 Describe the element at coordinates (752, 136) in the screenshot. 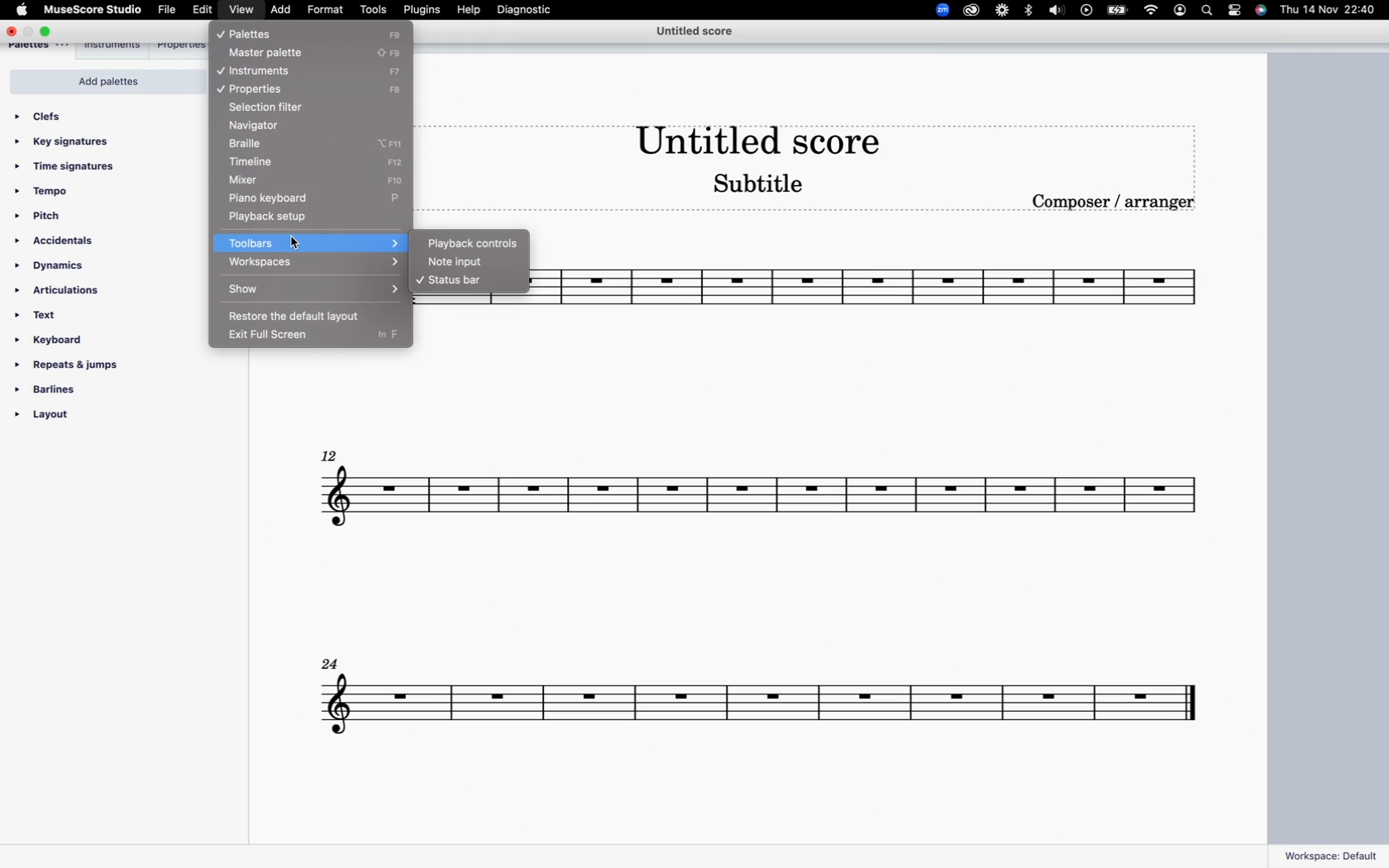

I see `score title` at that location.